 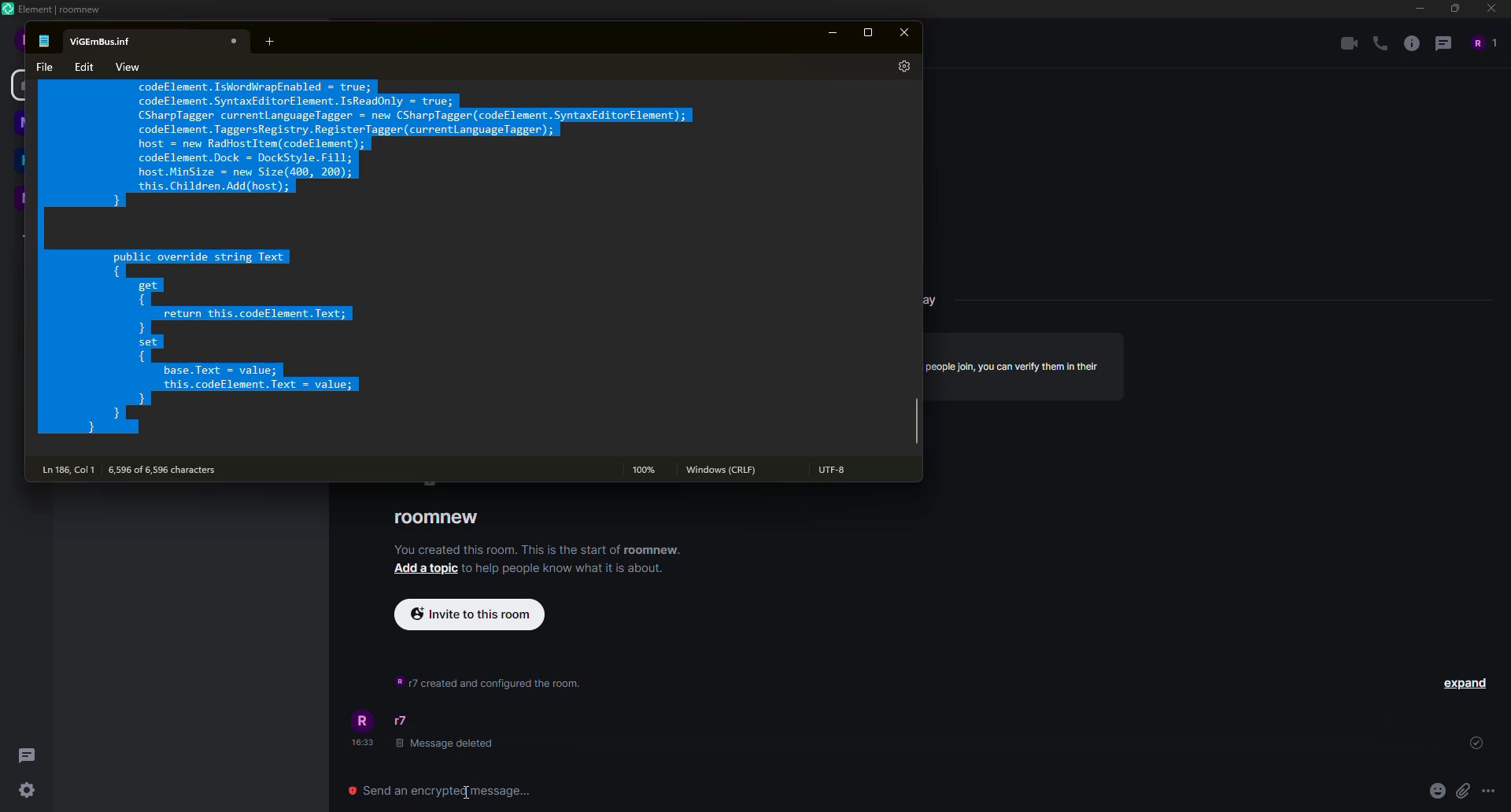 I want to click on maximize, so click(x=870, y=31).